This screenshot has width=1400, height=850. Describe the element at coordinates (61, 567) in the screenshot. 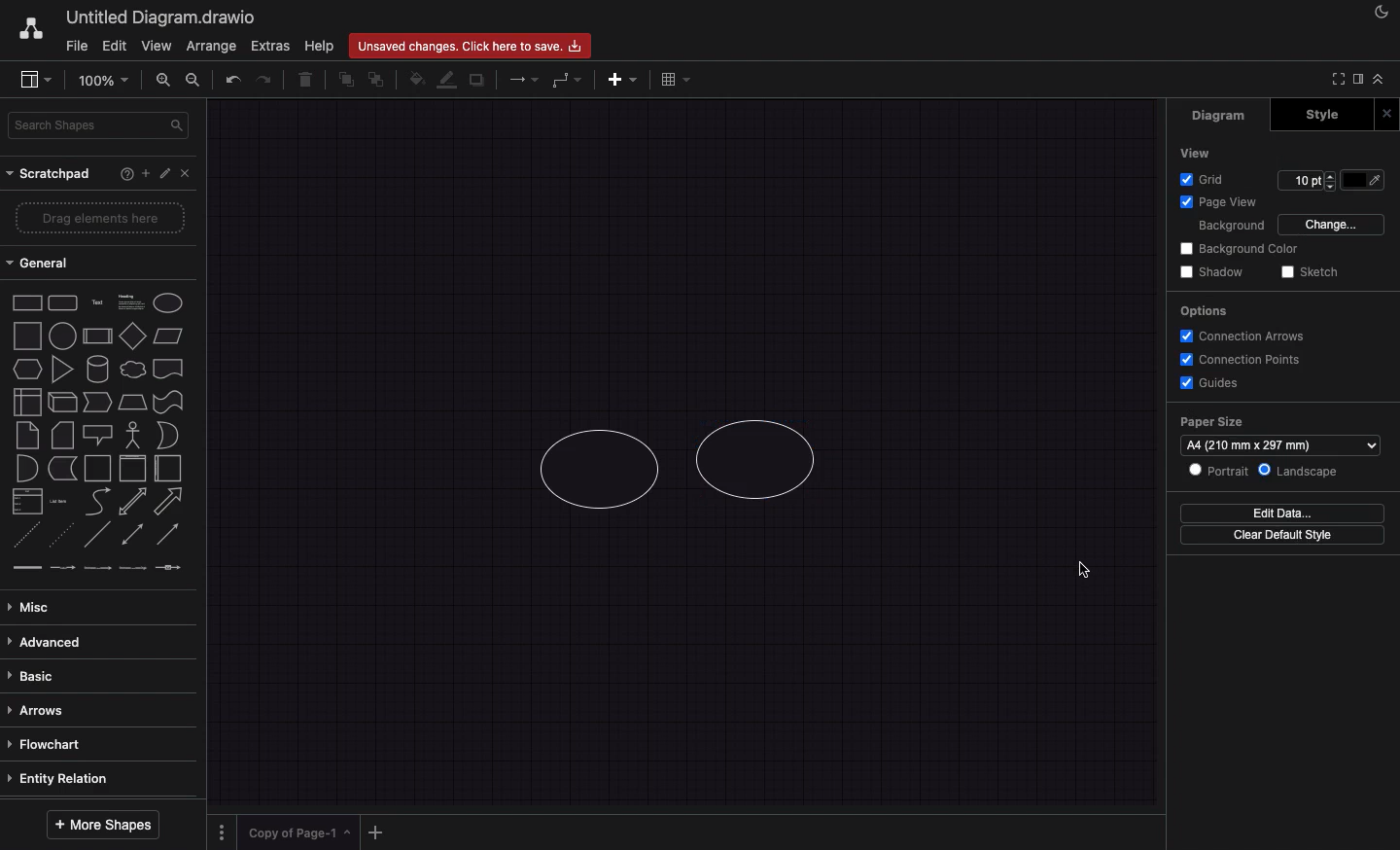

I see `connector with label` at that location.